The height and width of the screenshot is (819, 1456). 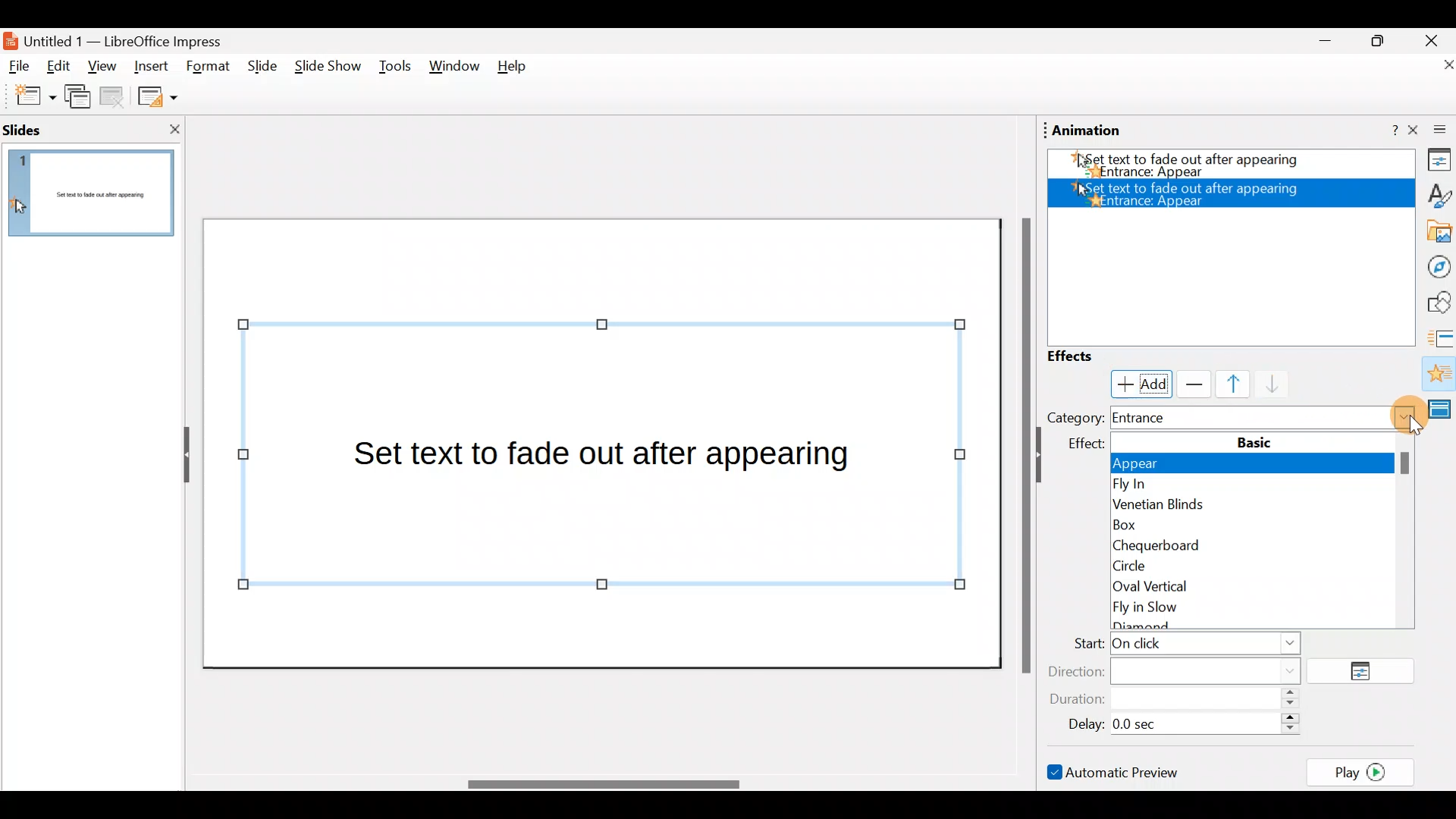 What do you see at coordinates (1225, 167) in the screenshot?
I see `Appear effect added` at bounding box center [1225, 167].